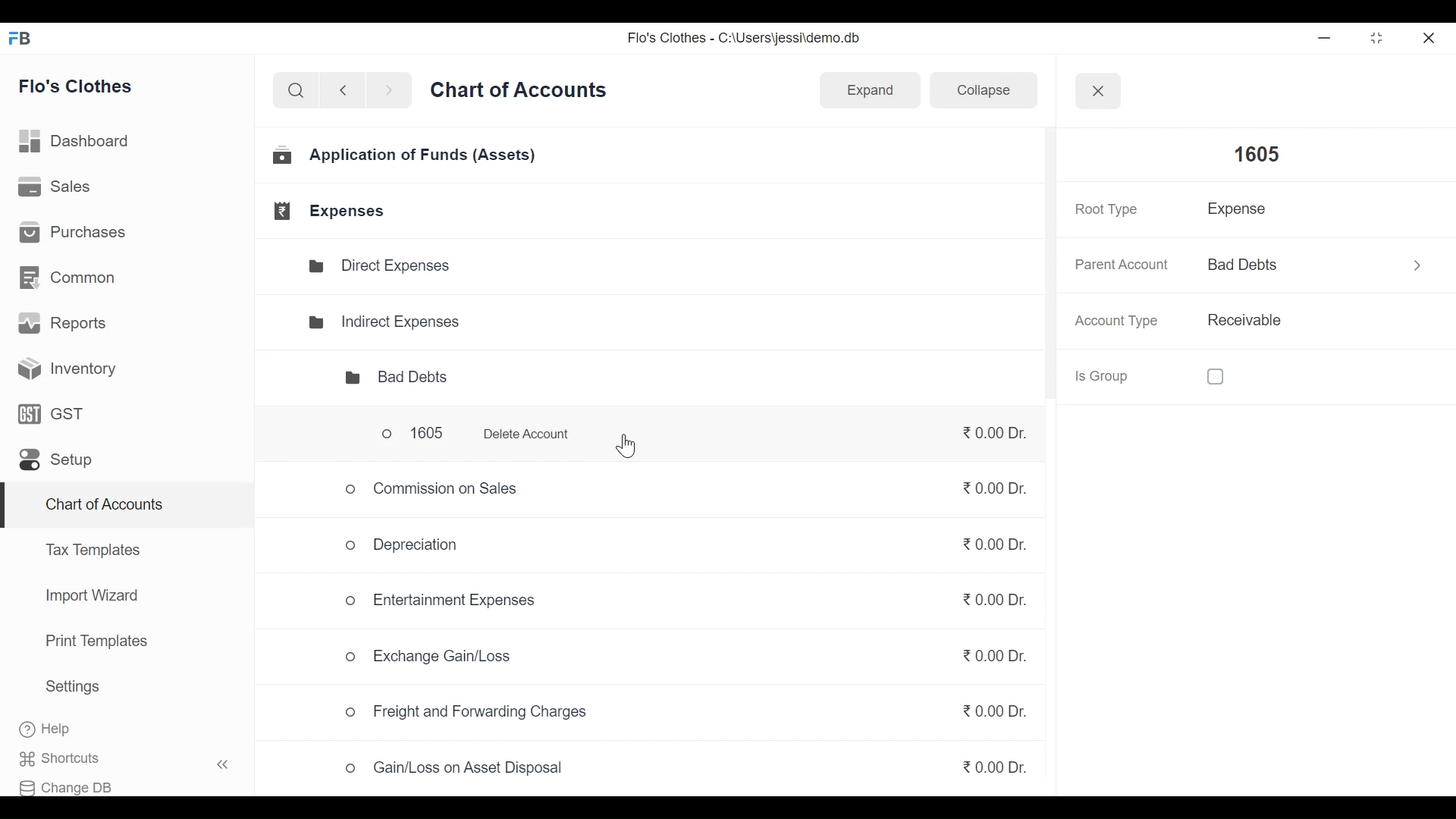 The width and height of the screenshot is (1456, 819). Describe the element at coordinates (990, 432) in the screenshot. I see `0.00 Dr.` at that location.